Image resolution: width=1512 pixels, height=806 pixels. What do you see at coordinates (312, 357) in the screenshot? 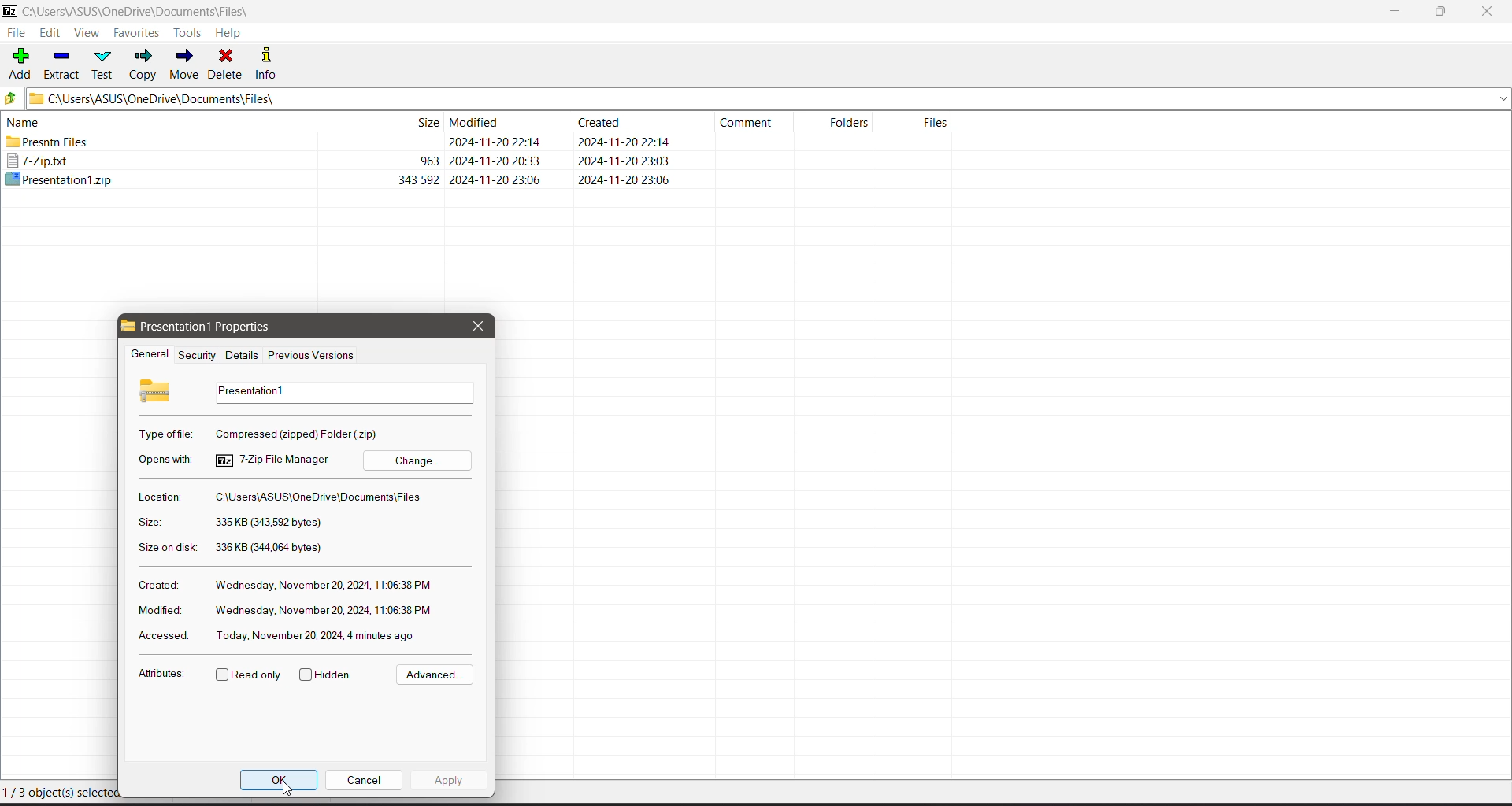
I see `Previous Versions` at bounding box center [312, 357].